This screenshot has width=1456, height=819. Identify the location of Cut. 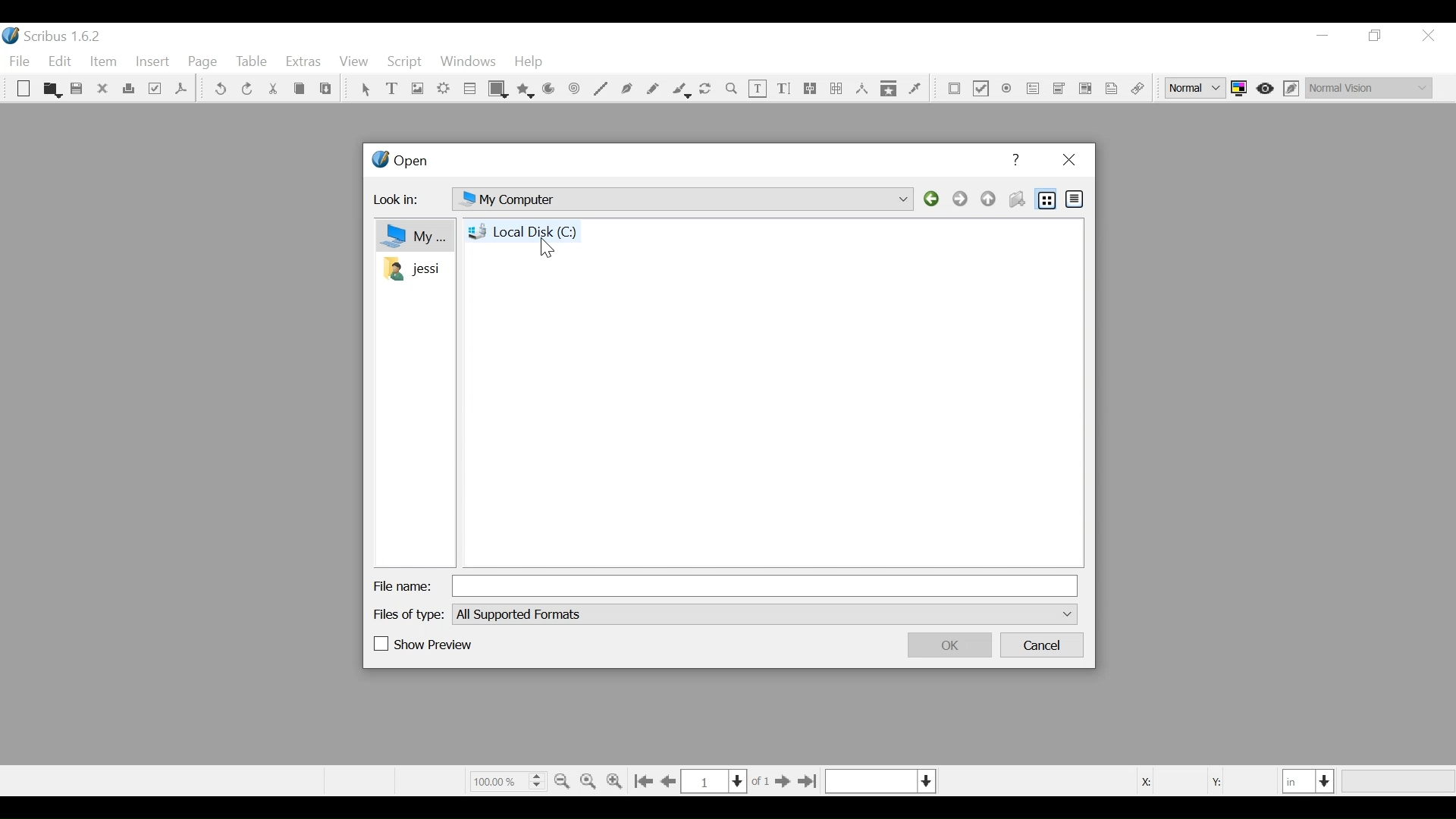
(272, 89).